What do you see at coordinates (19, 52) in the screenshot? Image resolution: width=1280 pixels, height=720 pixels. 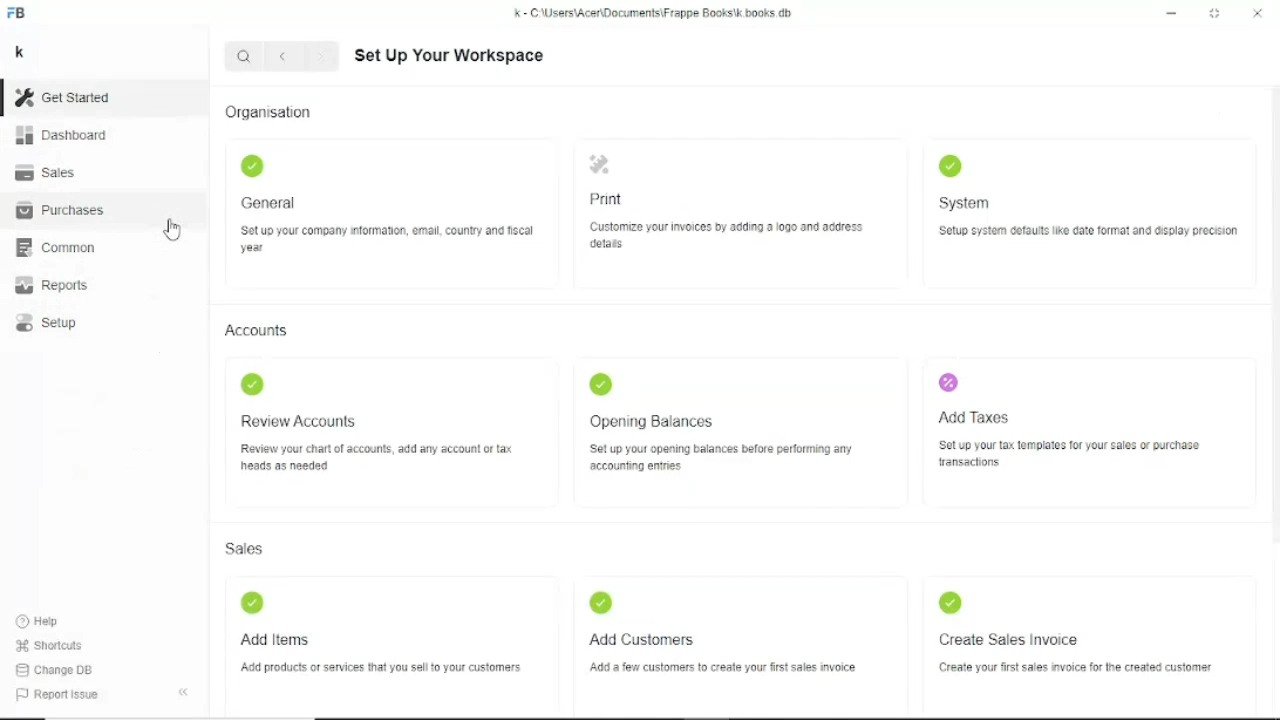 I see `k` at bounding box center [19, 52].